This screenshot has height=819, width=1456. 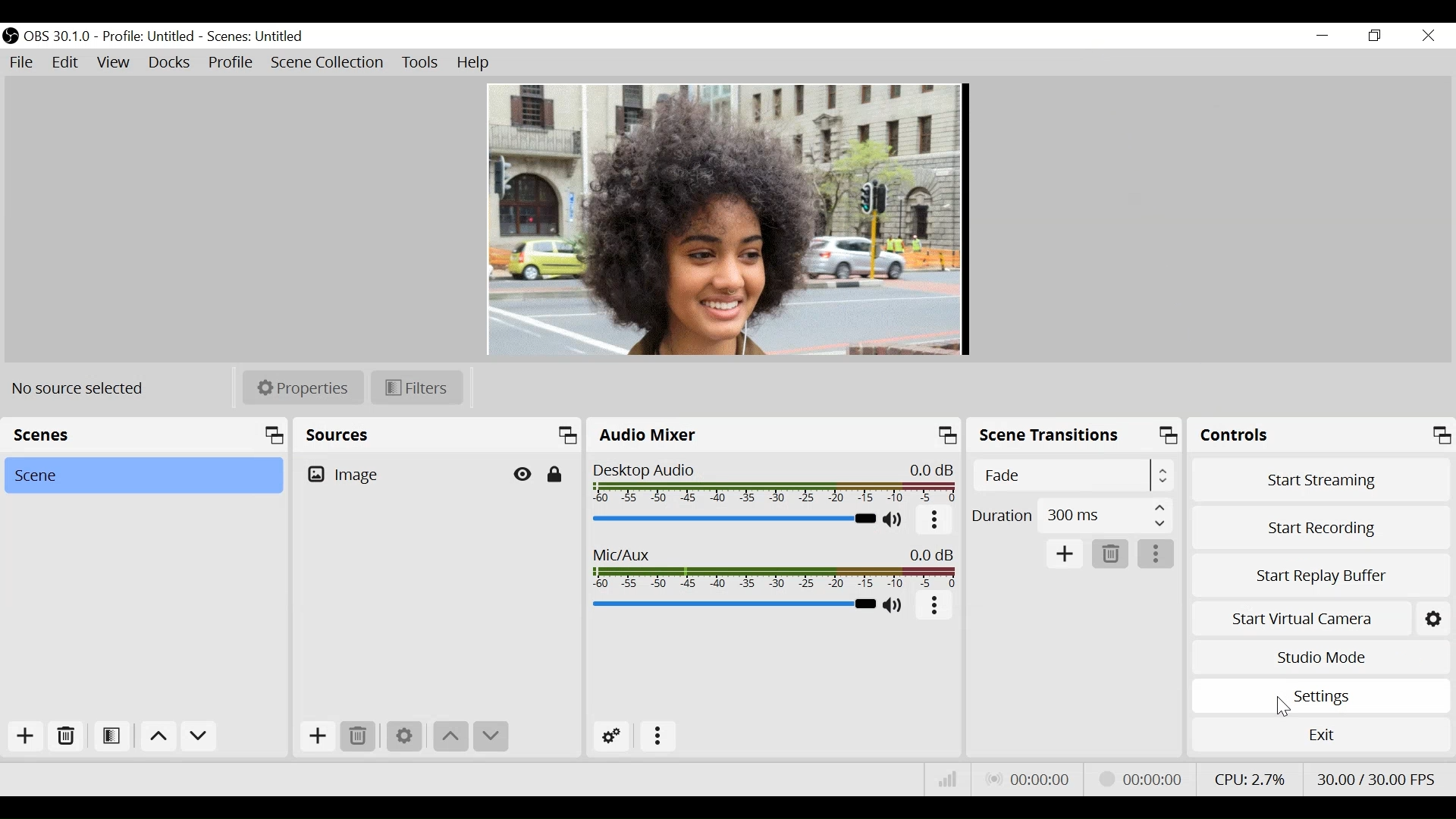 I want to click on Add Source, so click(x=316, y=739).